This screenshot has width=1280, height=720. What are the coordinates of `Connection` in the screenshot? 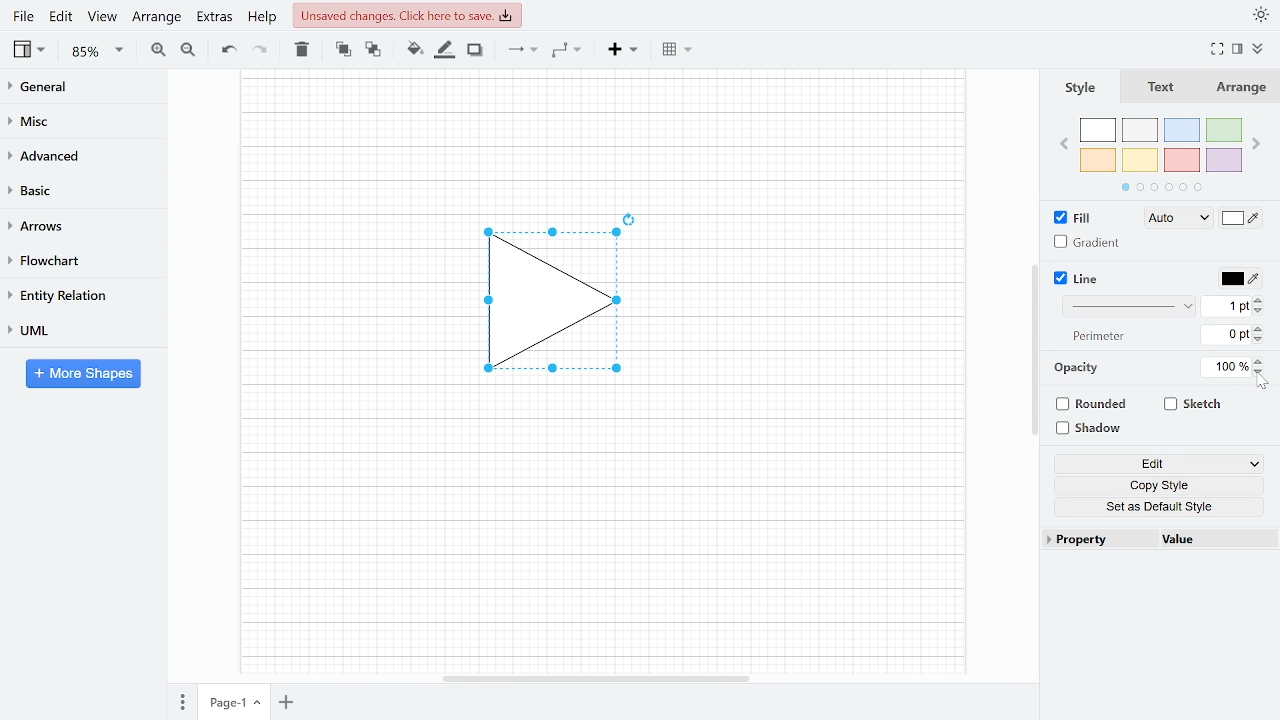 It's located at (522, 49).